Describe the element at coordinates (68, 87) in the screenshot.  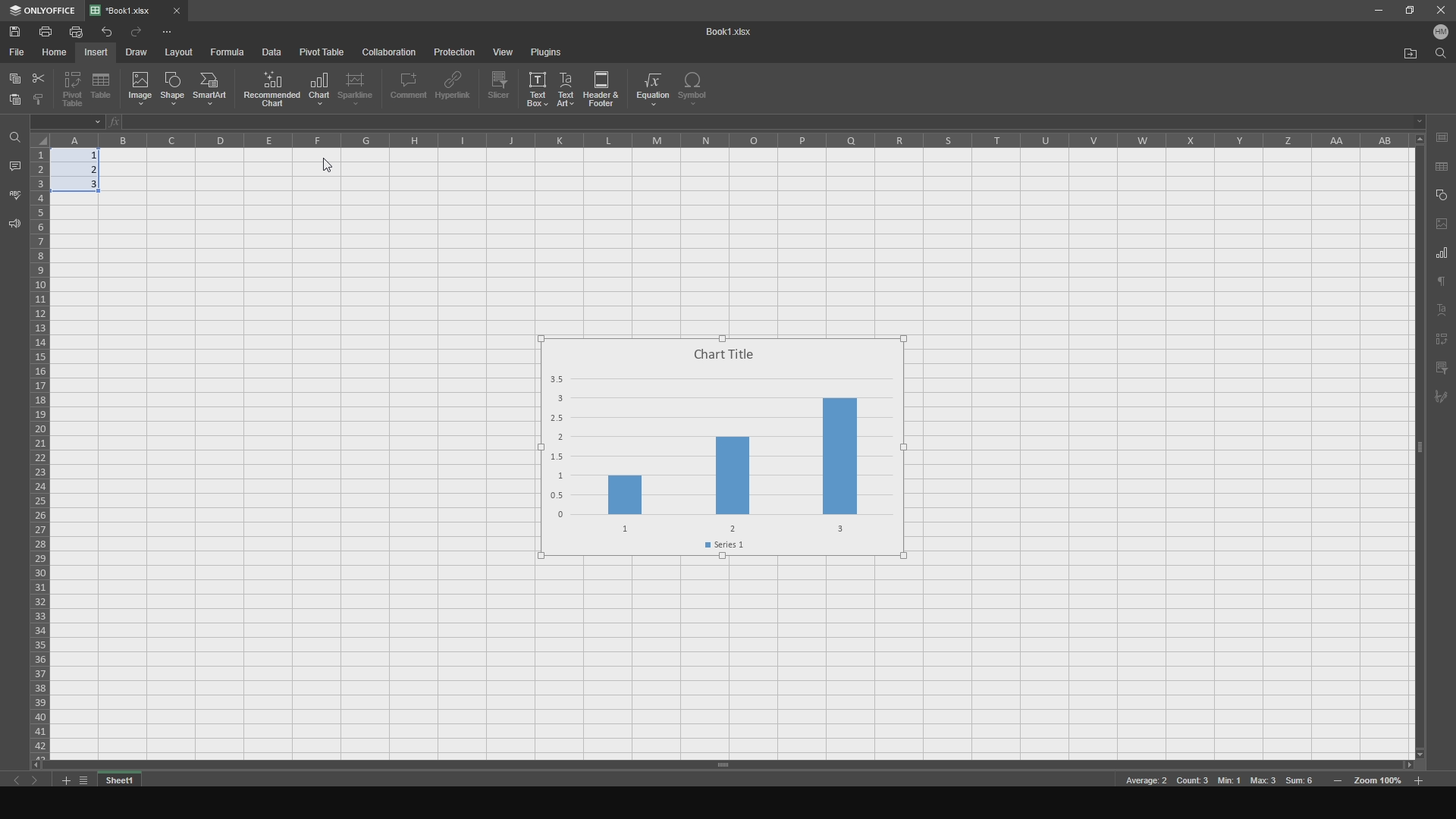
I see `pivot table` at that location.